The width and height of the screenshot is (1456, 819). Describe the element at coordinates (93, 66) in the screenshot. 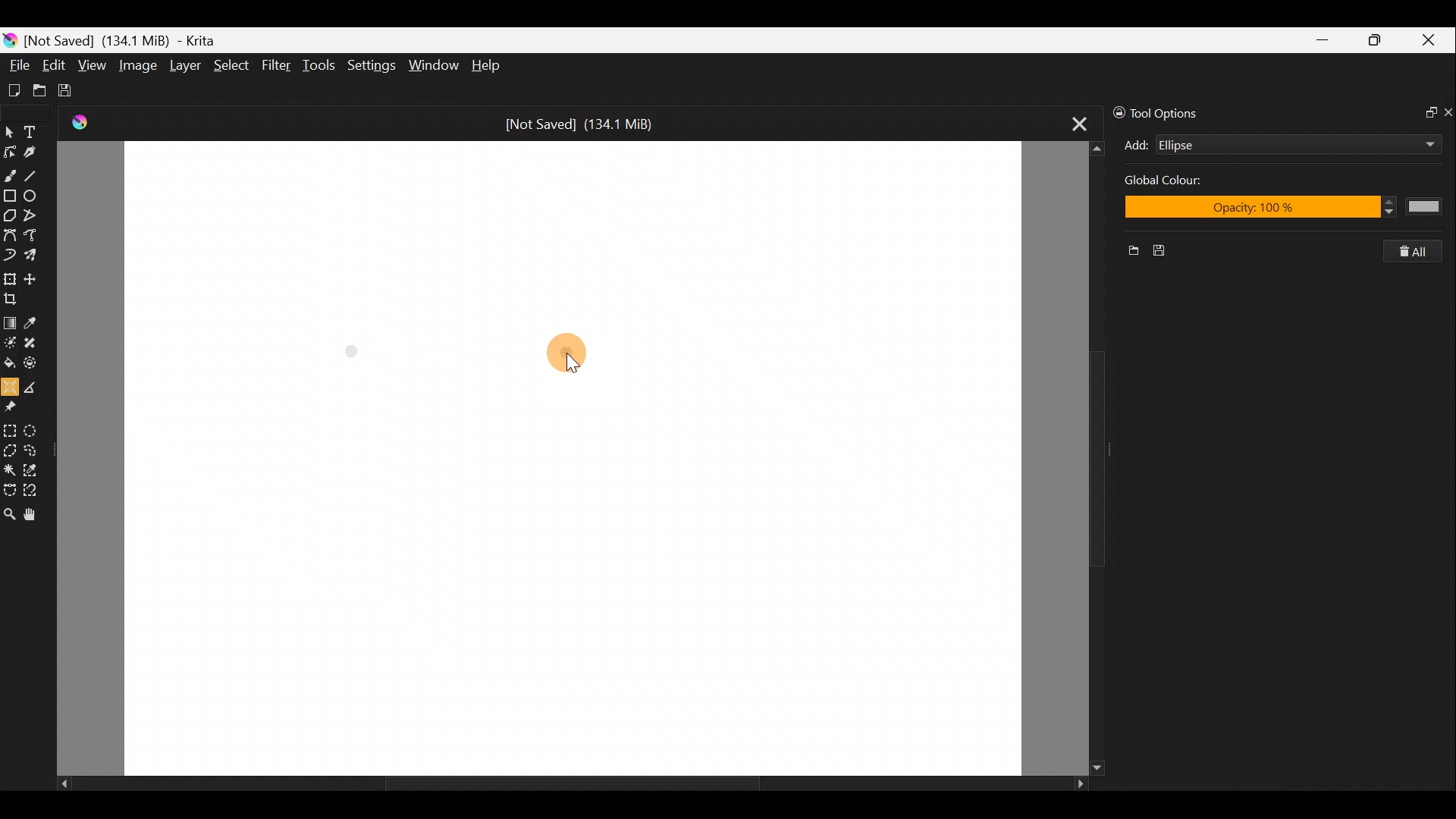

I see `View` at that location.